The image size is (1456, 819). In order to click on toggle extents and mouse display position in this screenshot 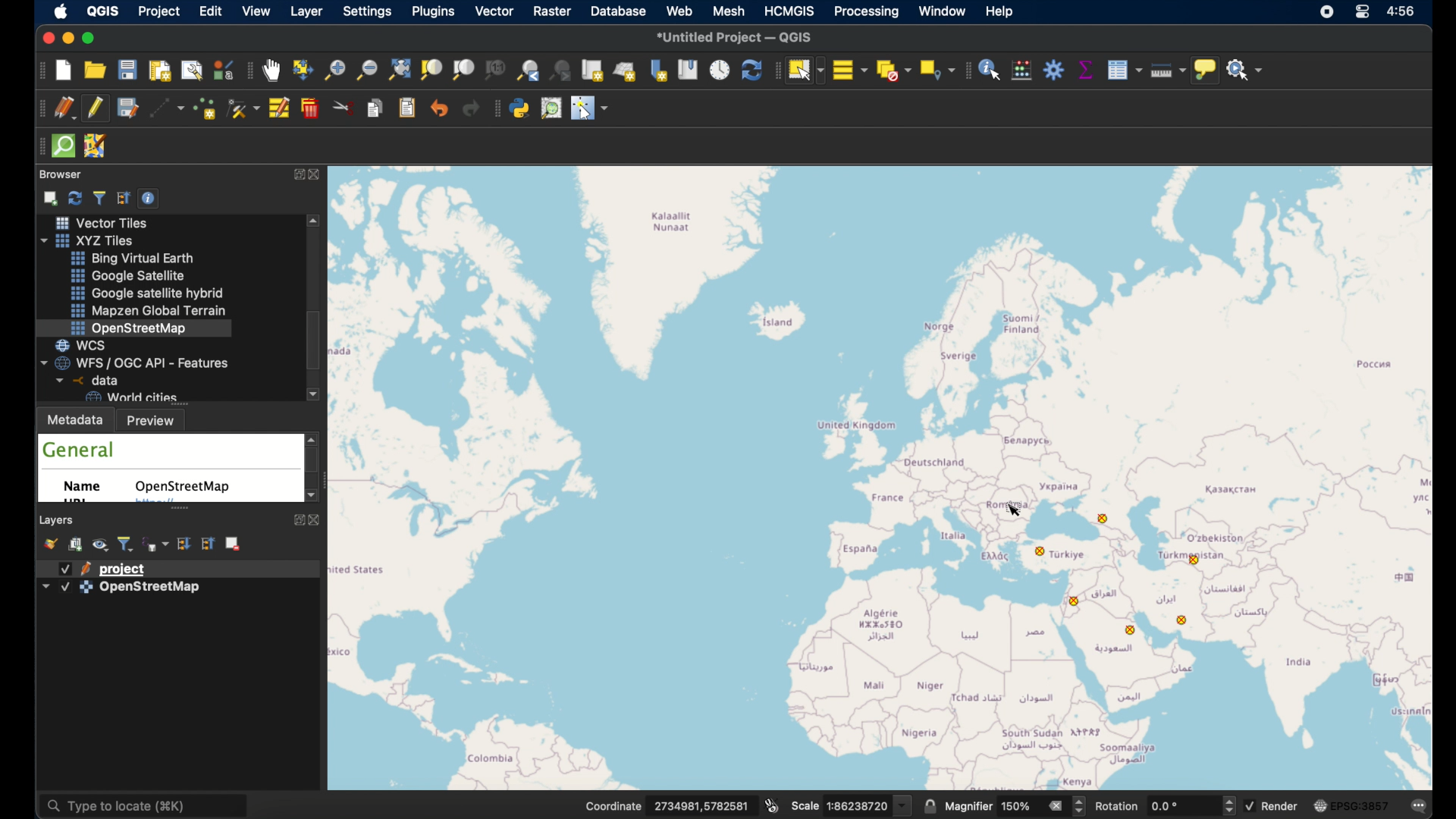, I will do `click(773, 804)`.